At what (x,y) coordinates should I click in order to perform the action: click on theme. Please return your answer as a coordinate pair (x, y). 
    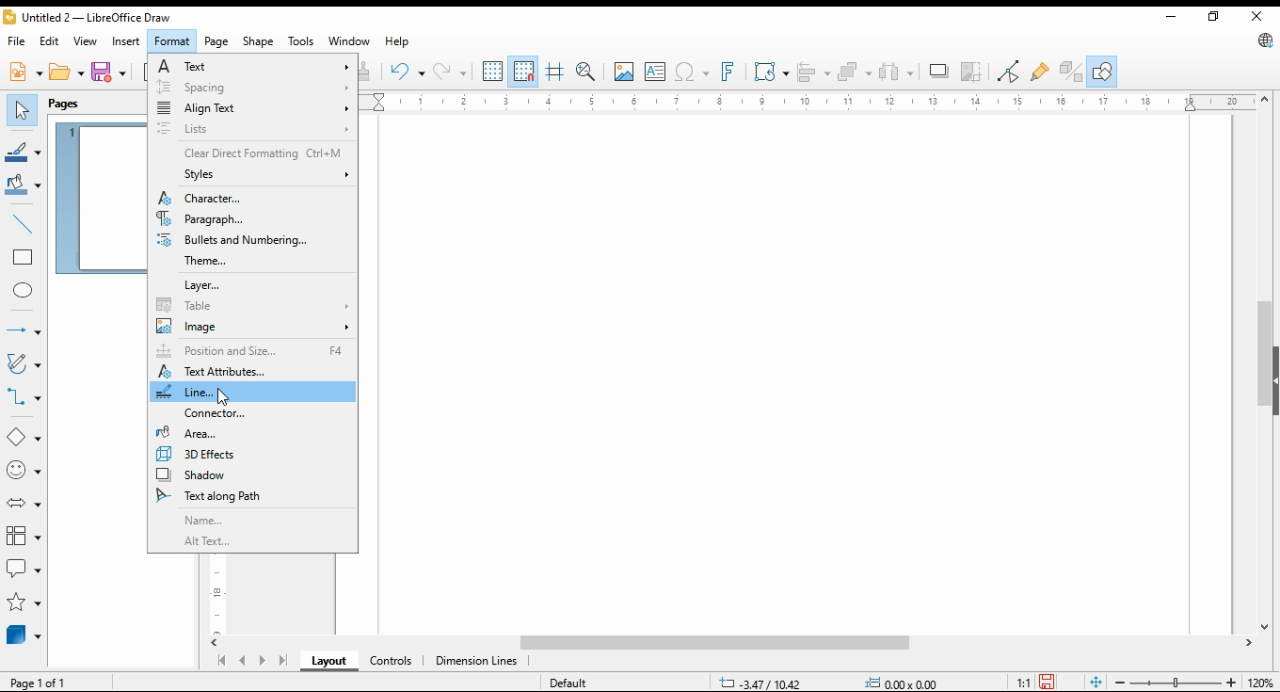
    Looking at the image, I should click on (251, 260).